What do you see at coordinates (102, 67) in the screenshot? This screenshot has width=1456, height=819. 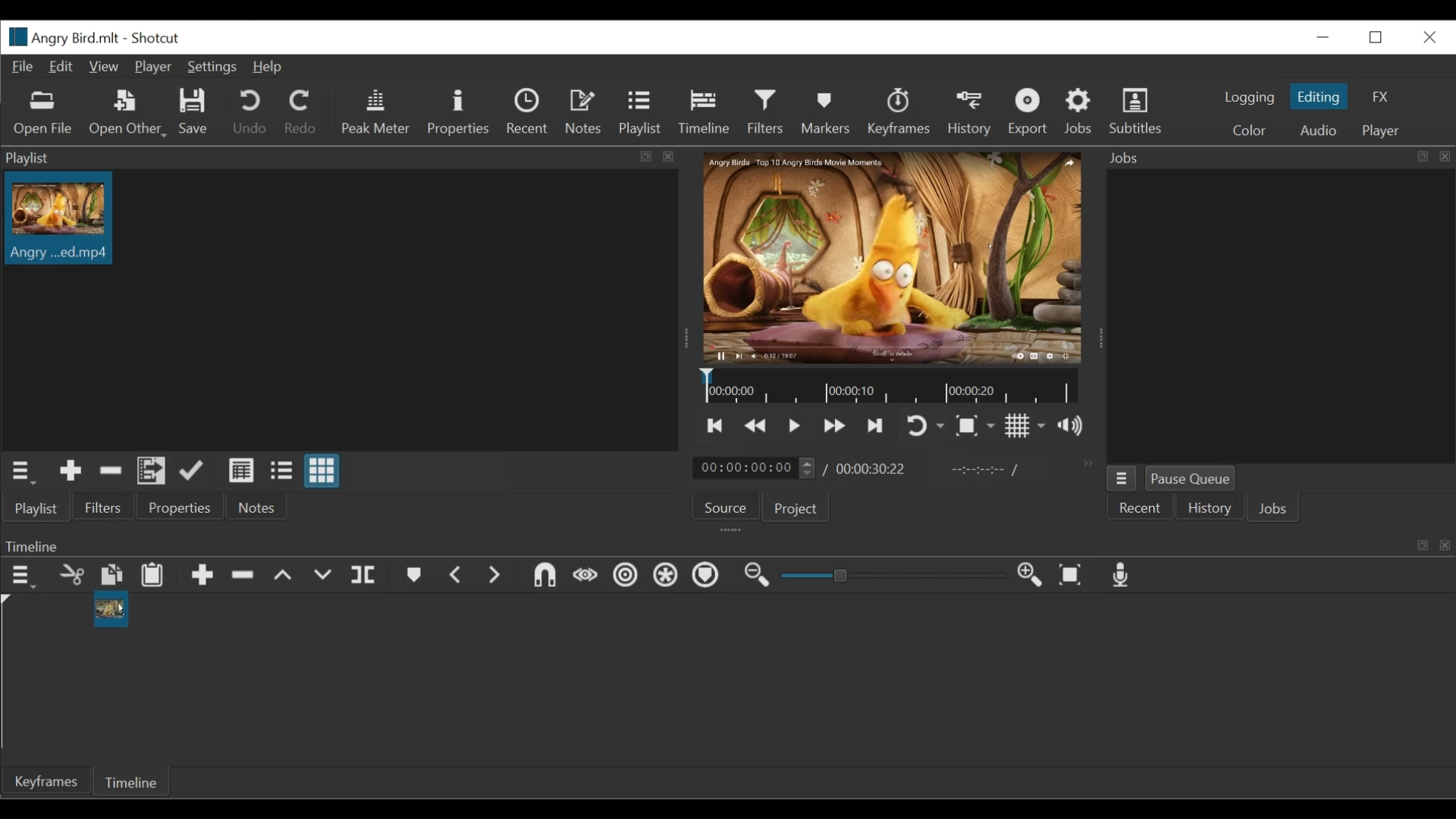 I see `View` at bounding box center [102, 67].